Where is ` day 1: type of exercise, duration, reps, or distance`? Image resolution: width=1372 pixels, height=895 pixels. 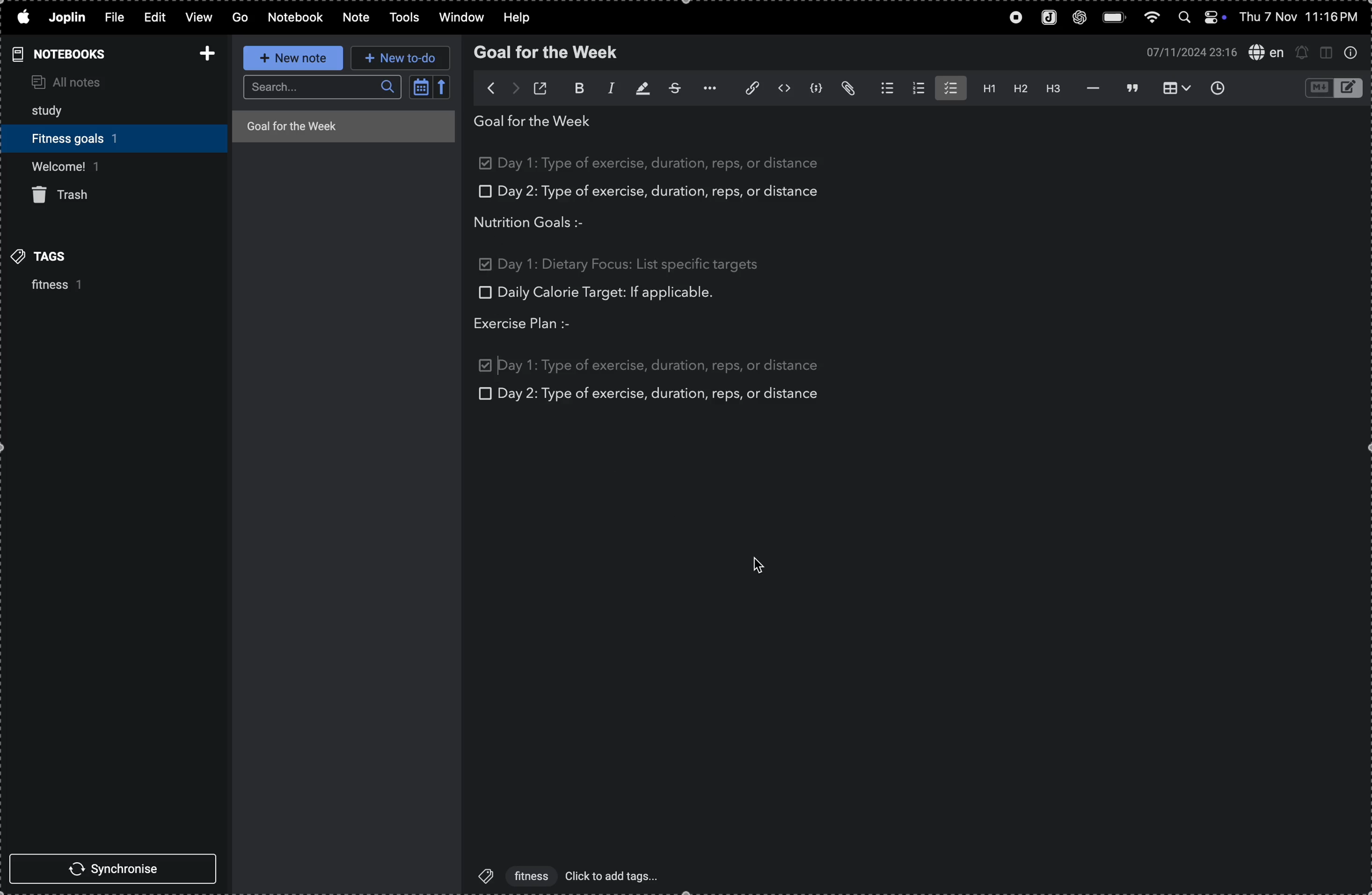
 day 1: type of exercise, duration, reps, or distance is located at coordinates (661, 363).